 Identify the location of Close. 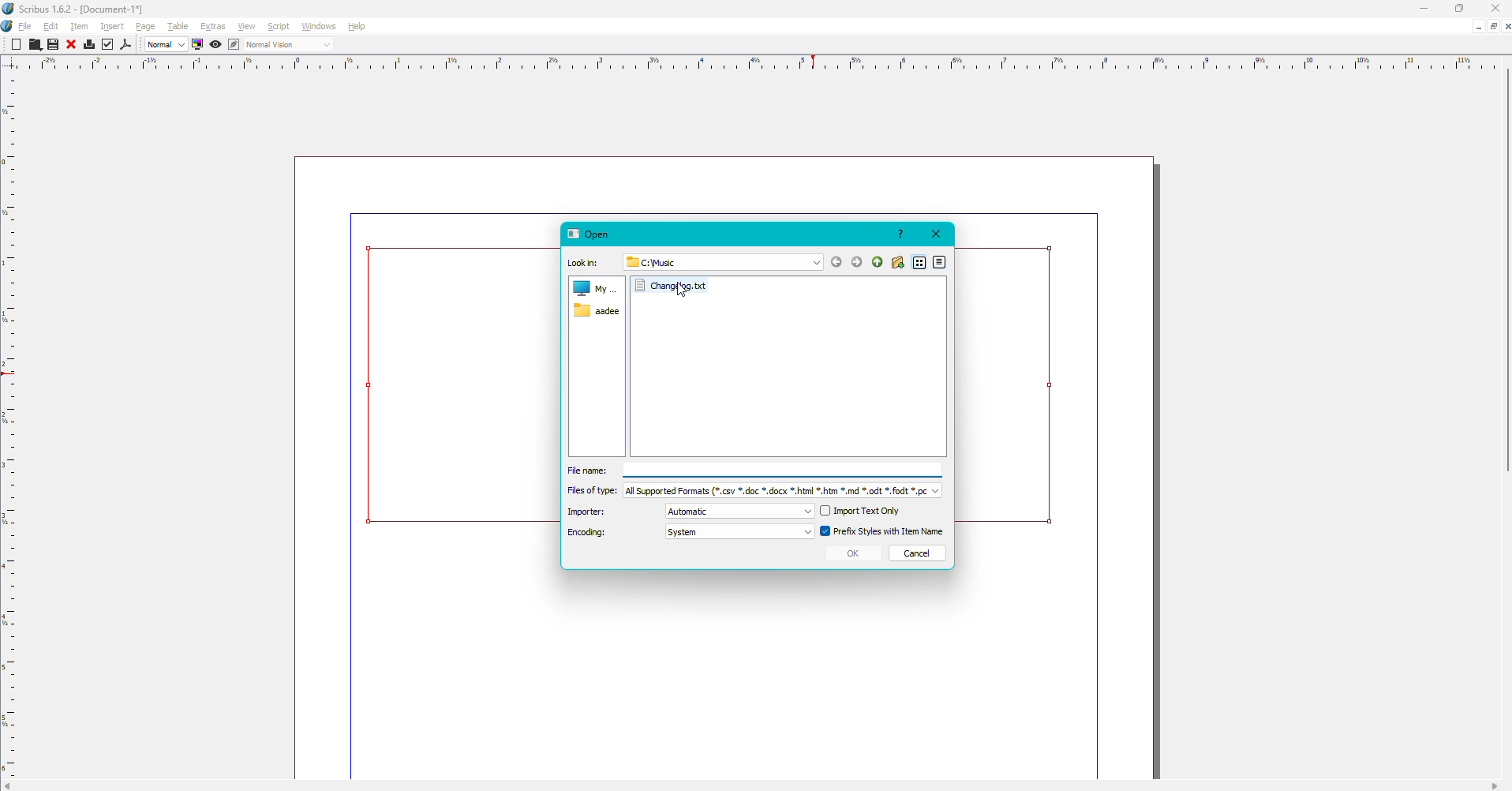
(70, 43).